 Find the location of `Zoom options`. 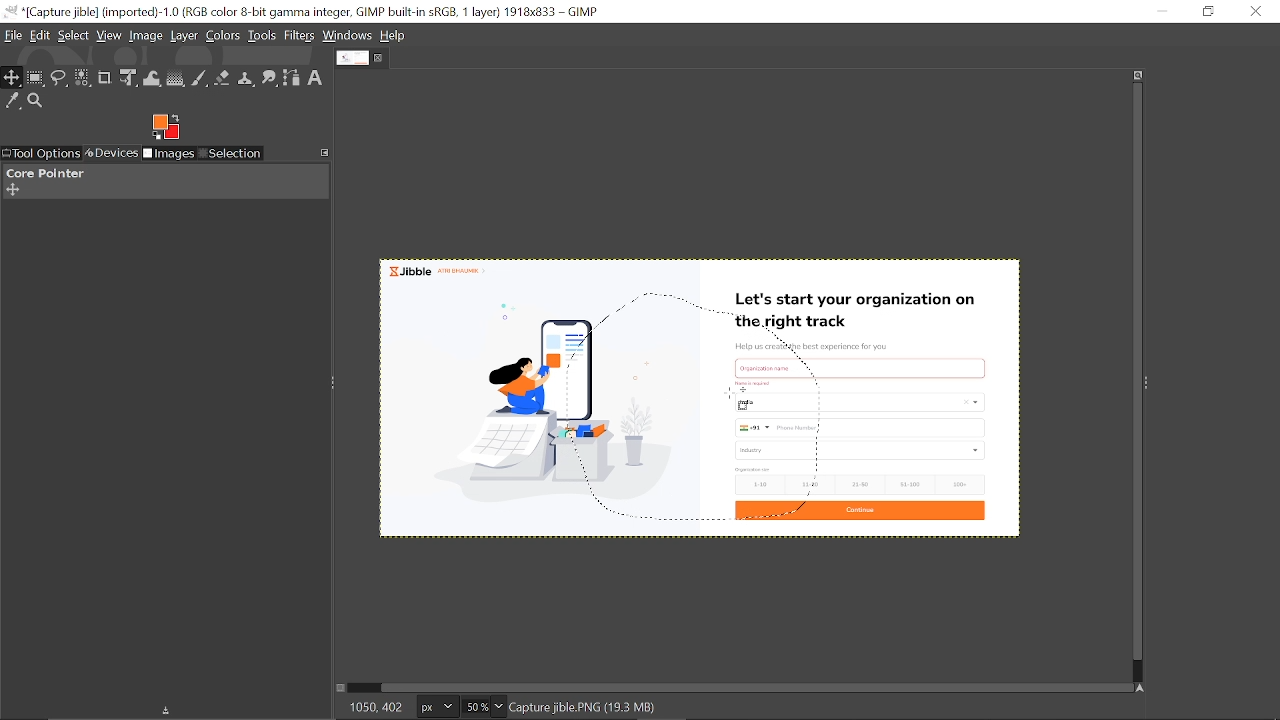

Zoom options is located at coordinates (497, 707).